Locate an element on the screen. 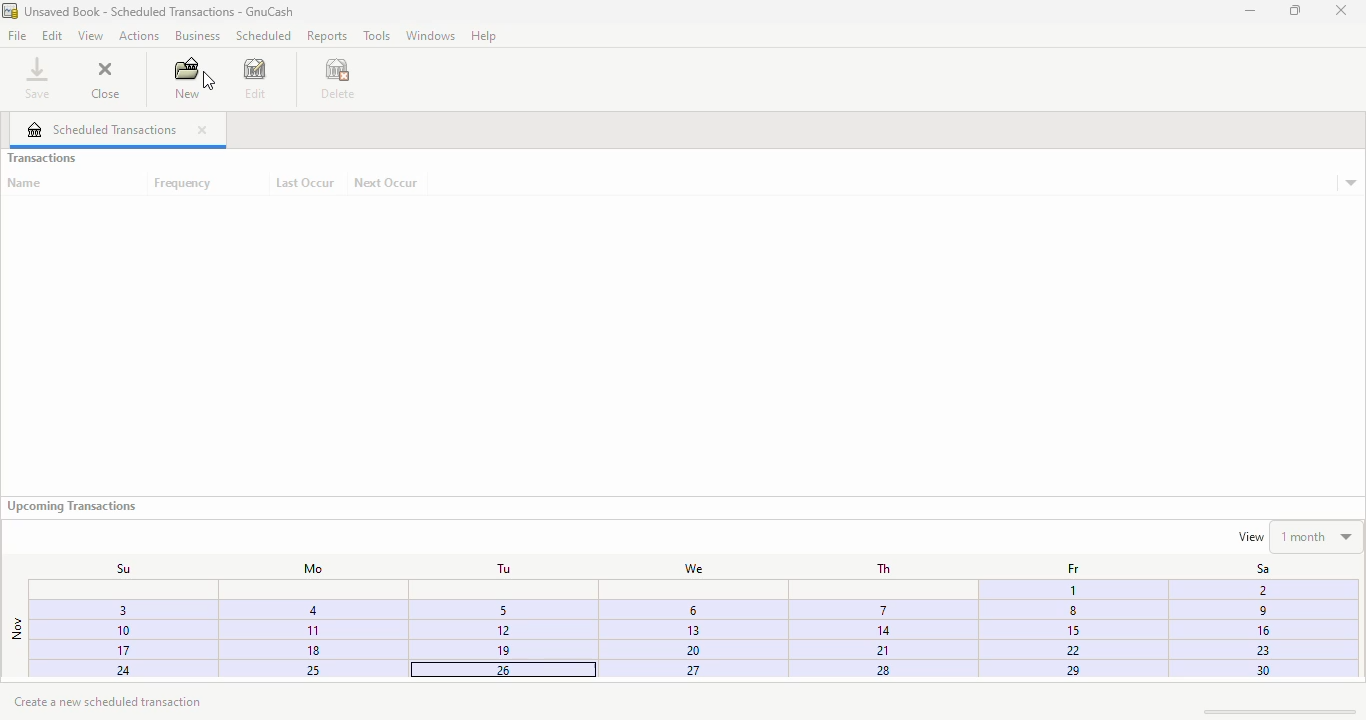 This screenshot has height=720, width=1366. Mo is located at coordinates (307, 569).